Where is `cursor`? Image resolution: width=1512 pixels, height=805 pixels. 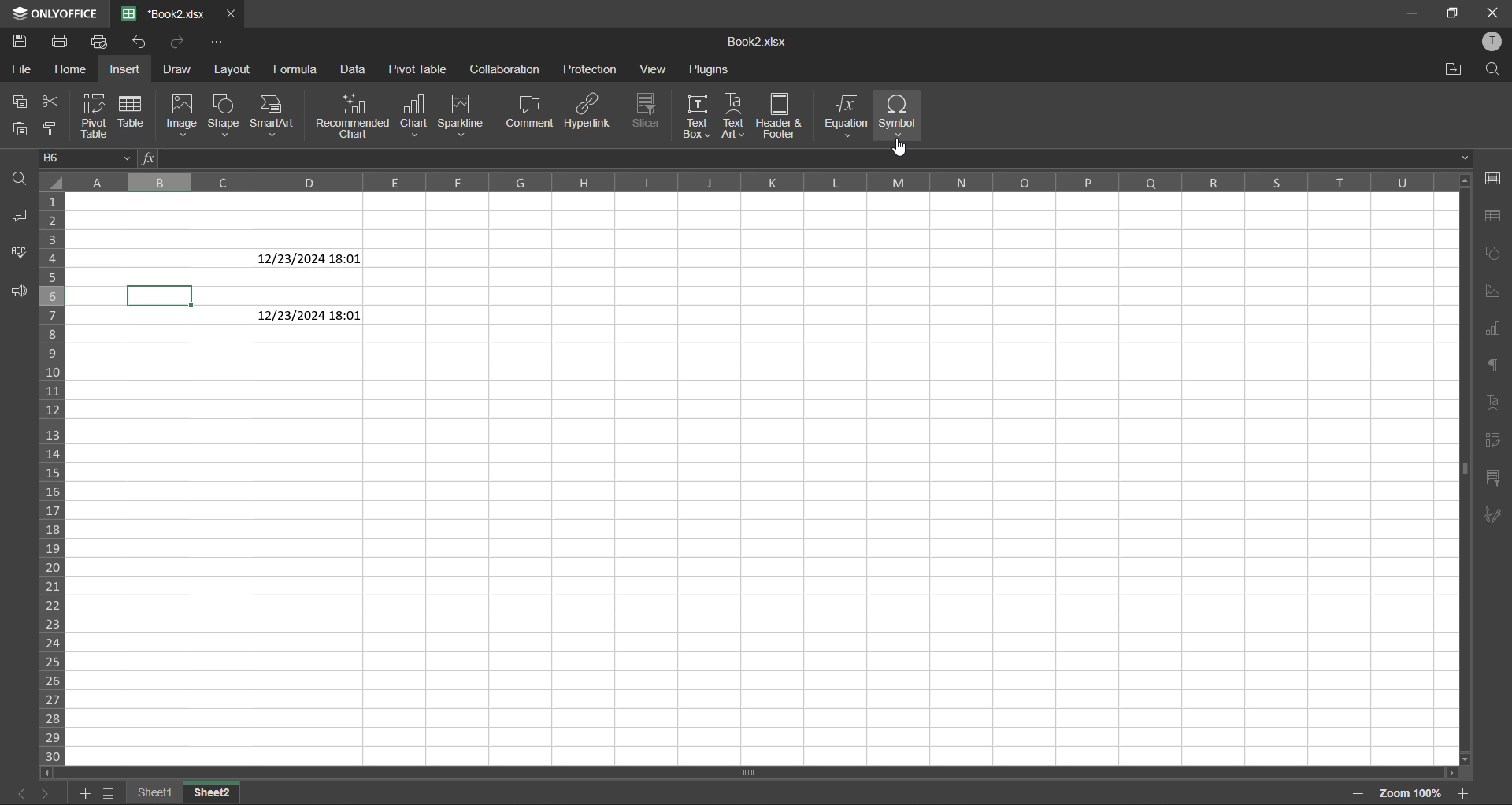 cursor is located at coordinates (902, 149).